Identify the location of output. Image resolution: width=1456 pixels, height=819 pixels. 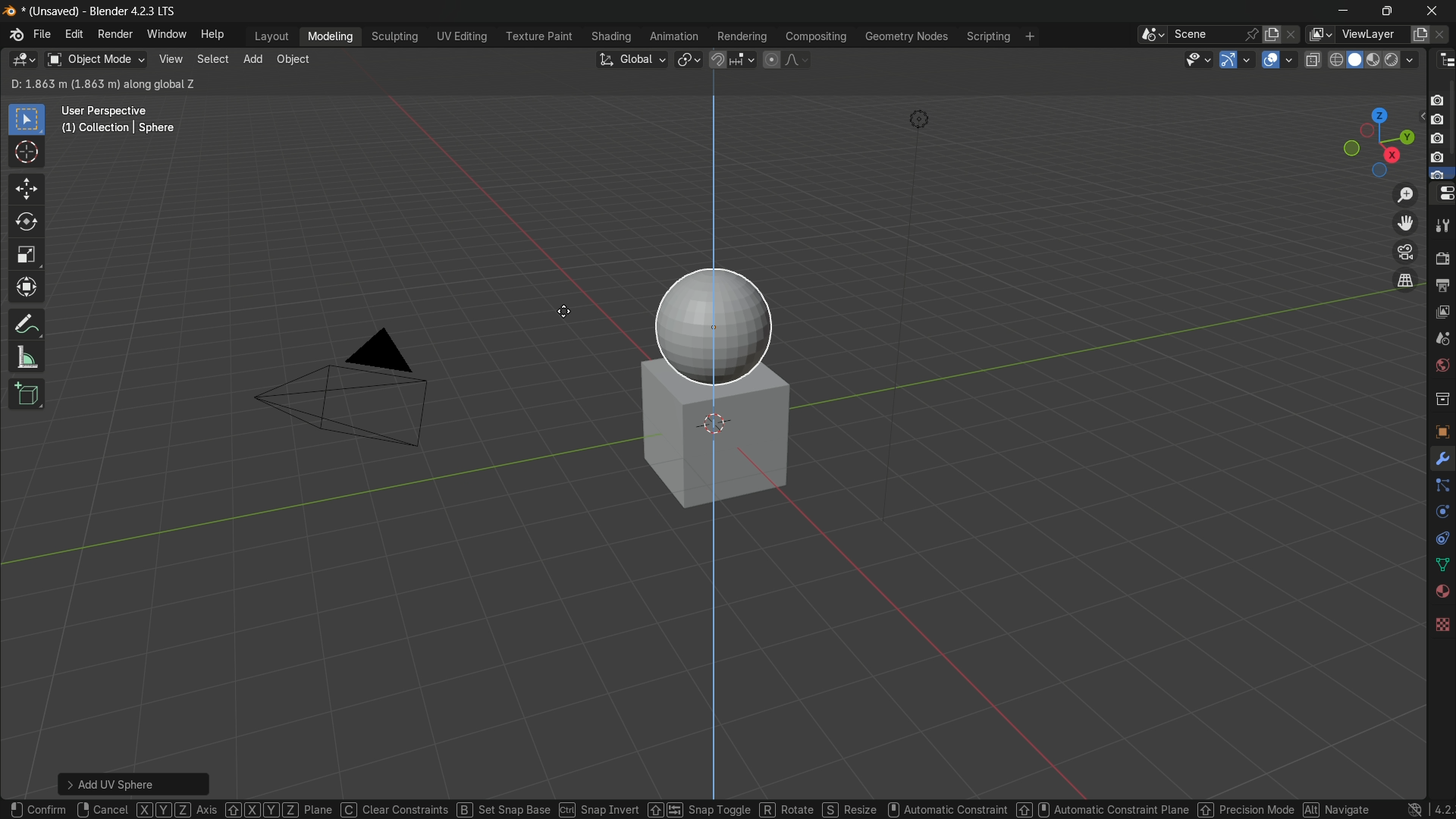
(1442, 284).